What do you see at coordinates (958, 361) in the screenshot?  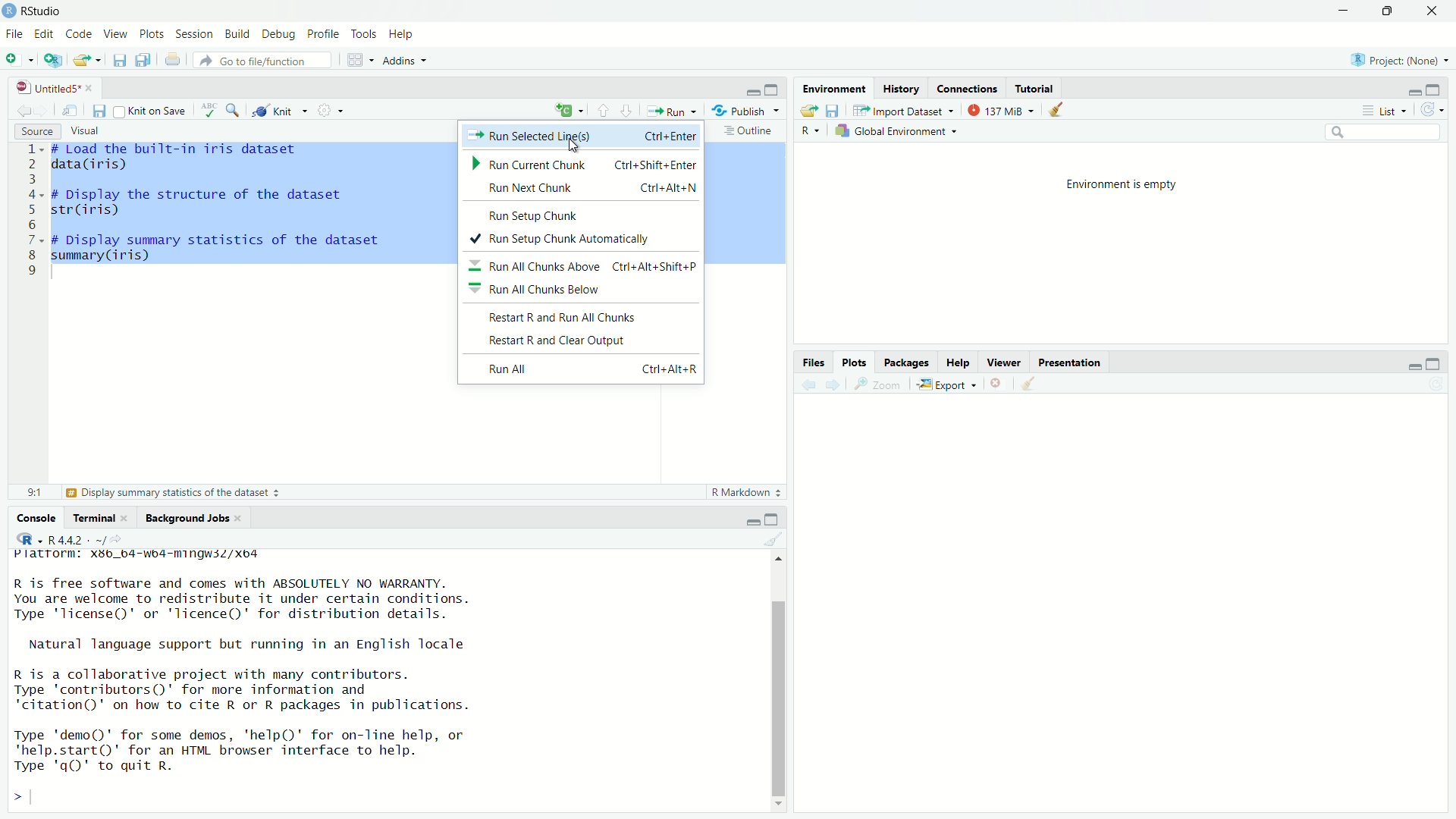 I see `Help` at bounding box center [958, 361].